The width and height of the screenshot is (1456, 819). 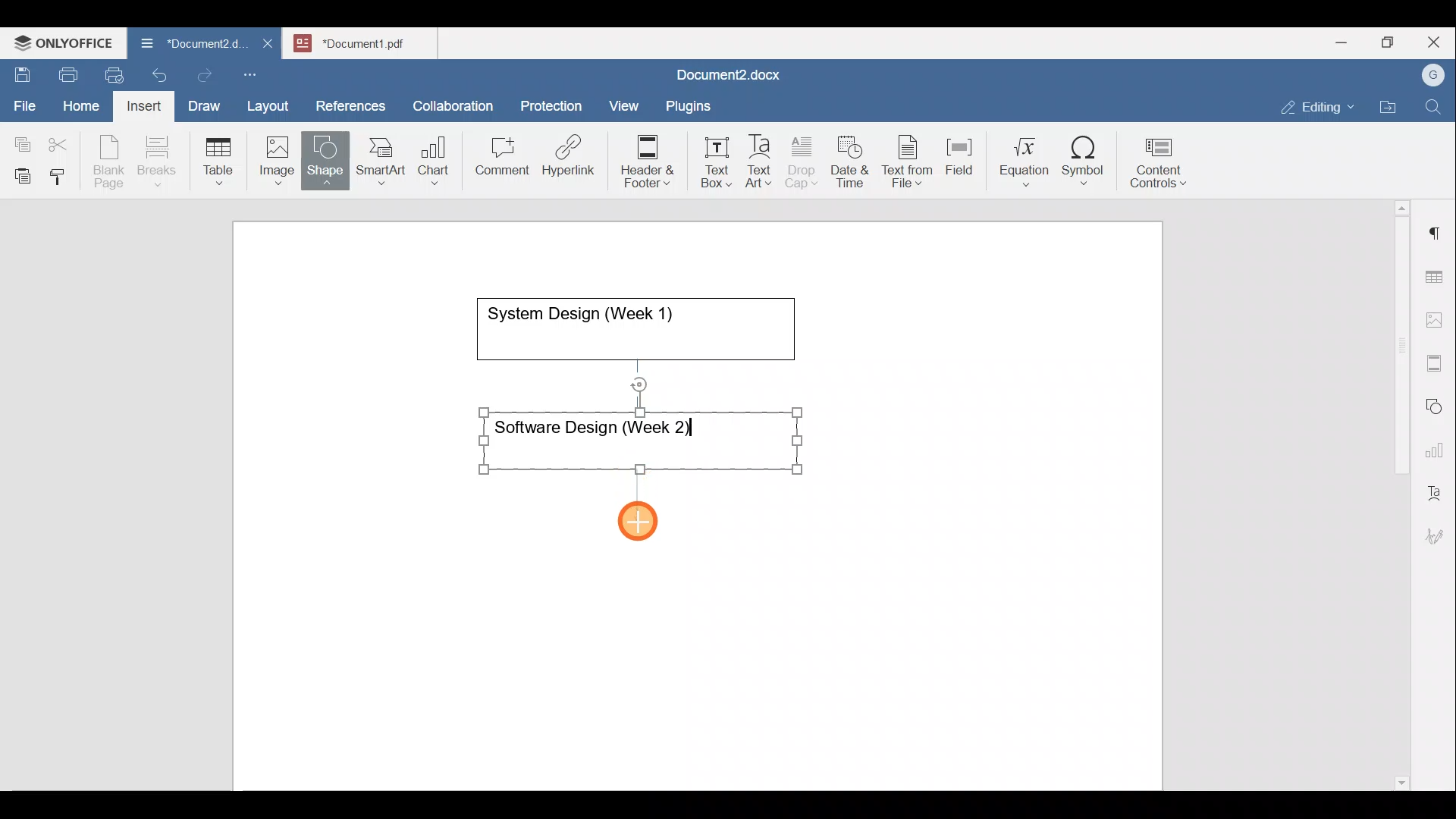 What do you see at coordinates (21, 71) in the screenshot?
I see `Save` at bounding box center [21, 71].